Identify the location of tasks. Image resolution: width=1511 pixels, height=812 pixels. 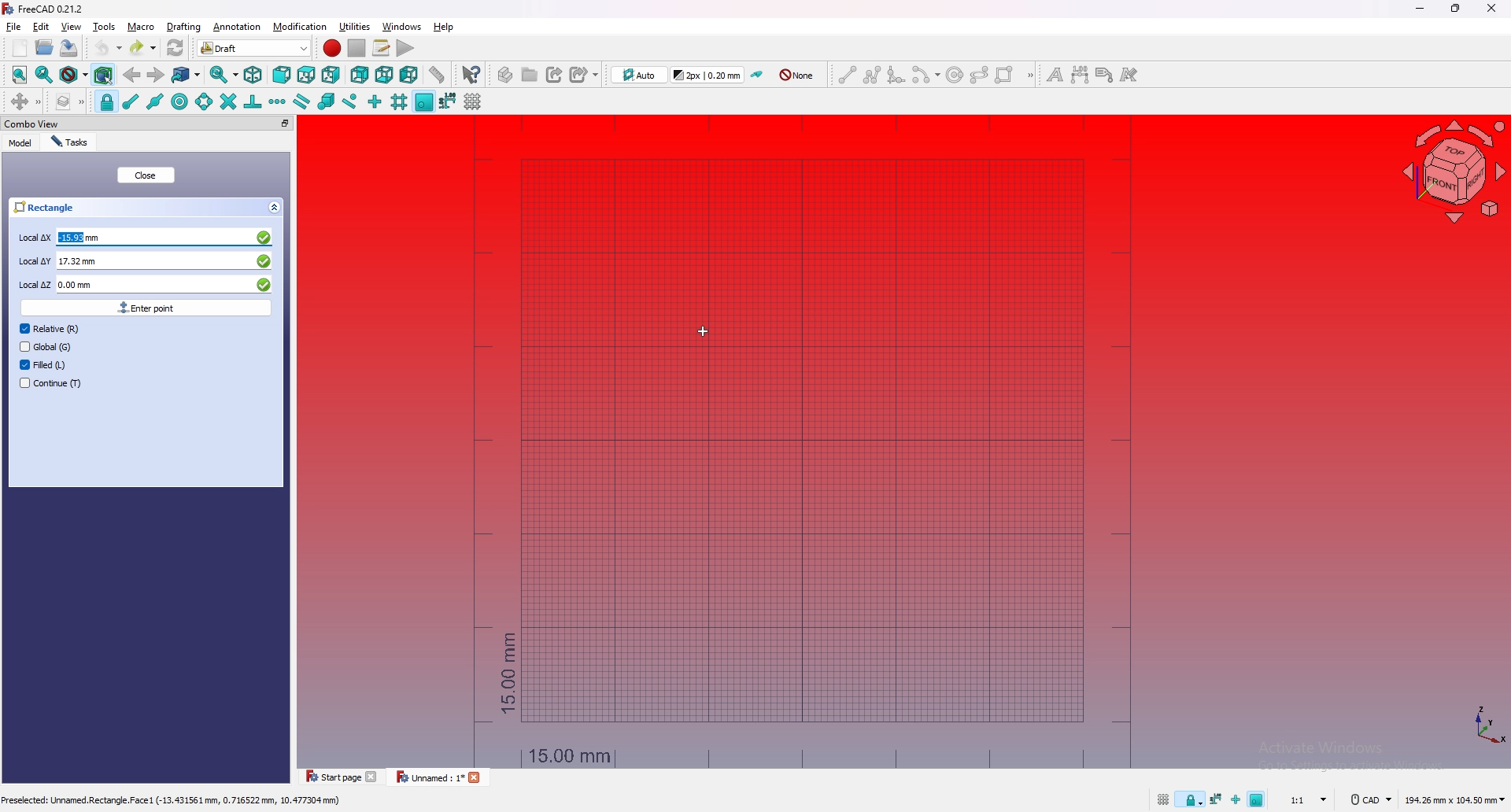
(74, 142).